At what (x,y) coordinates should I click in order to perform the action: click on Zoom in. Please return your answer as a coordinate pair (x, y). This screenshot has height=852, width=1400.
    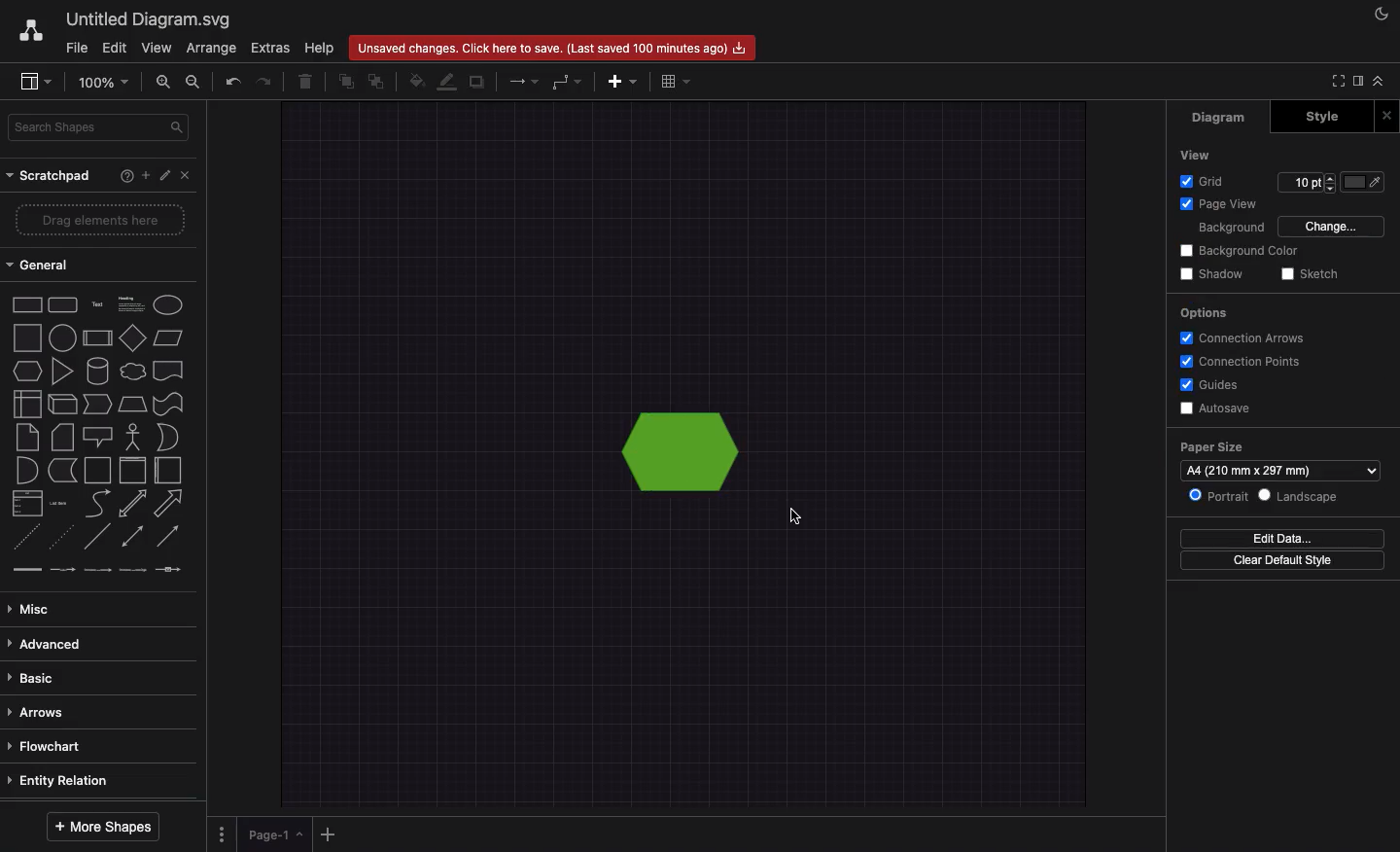
    Looking at the image, I should click on (164, 83).